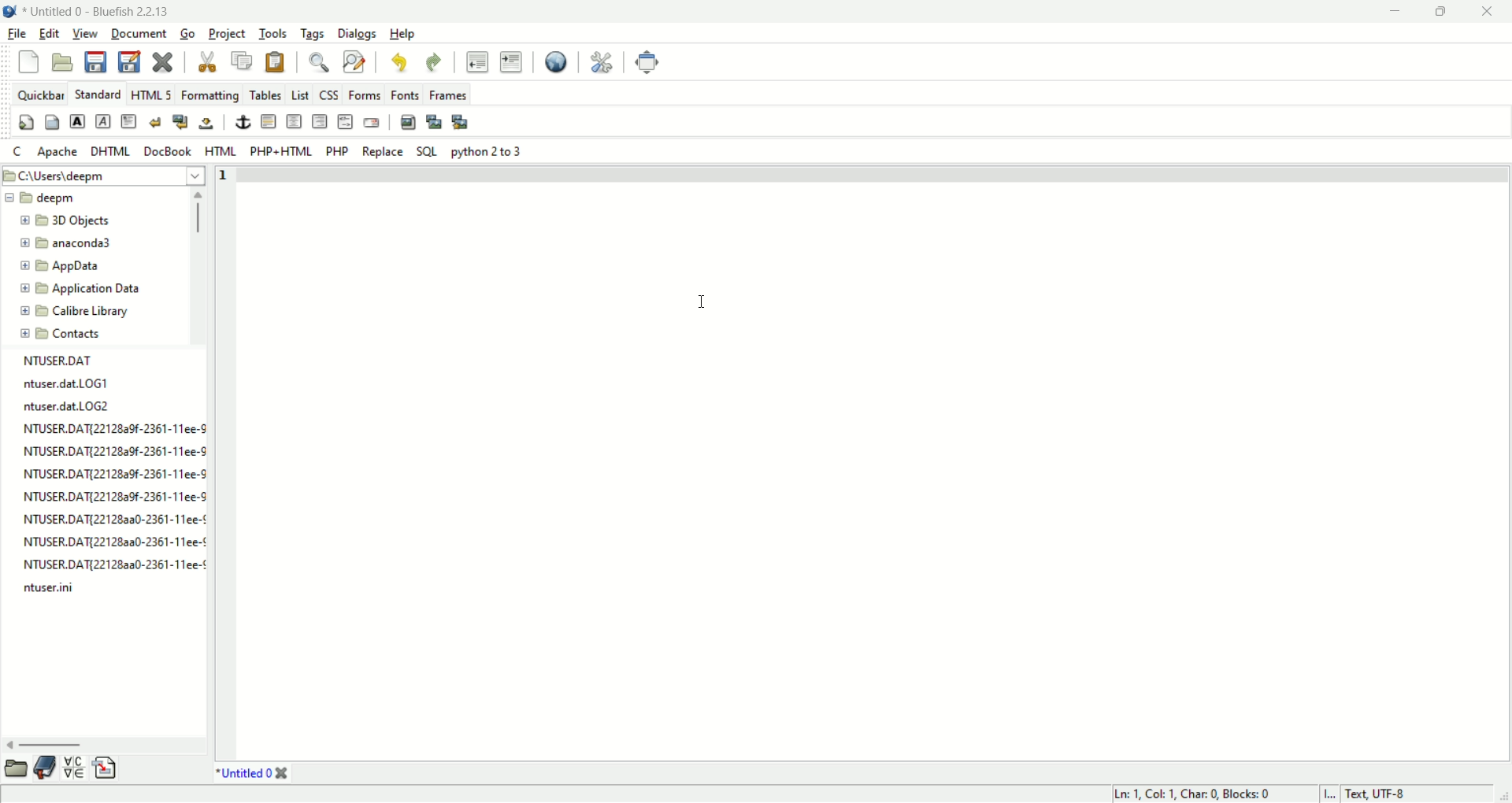 The height and width of the screenshot is (803, 1512). I want to click on center, so click(295, 122).